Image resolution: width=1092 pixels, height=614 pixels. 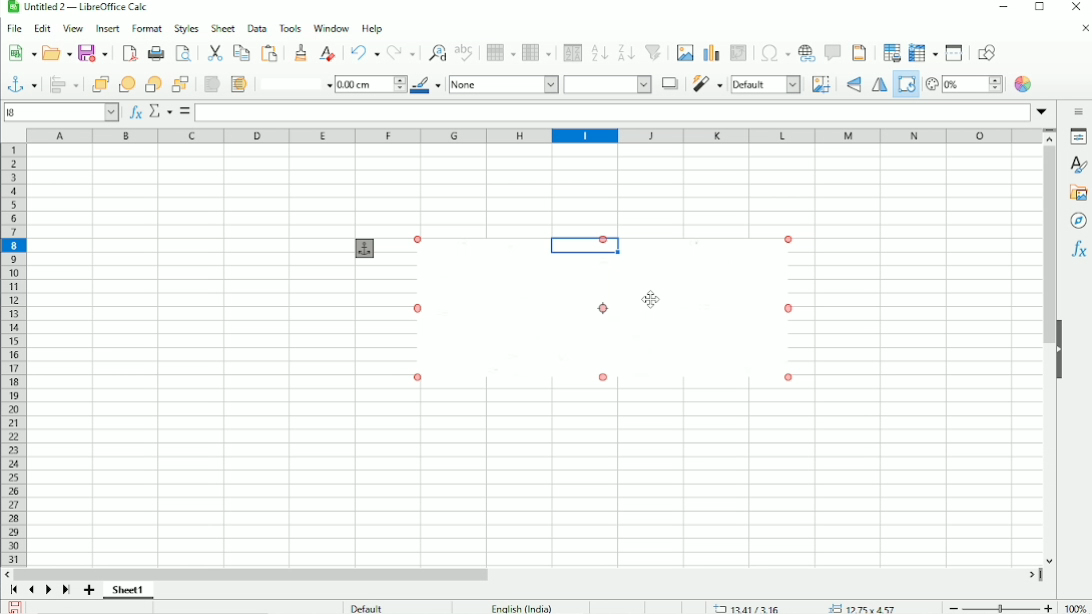 I want to click on Flip vertically, so click(x=854, y=85).